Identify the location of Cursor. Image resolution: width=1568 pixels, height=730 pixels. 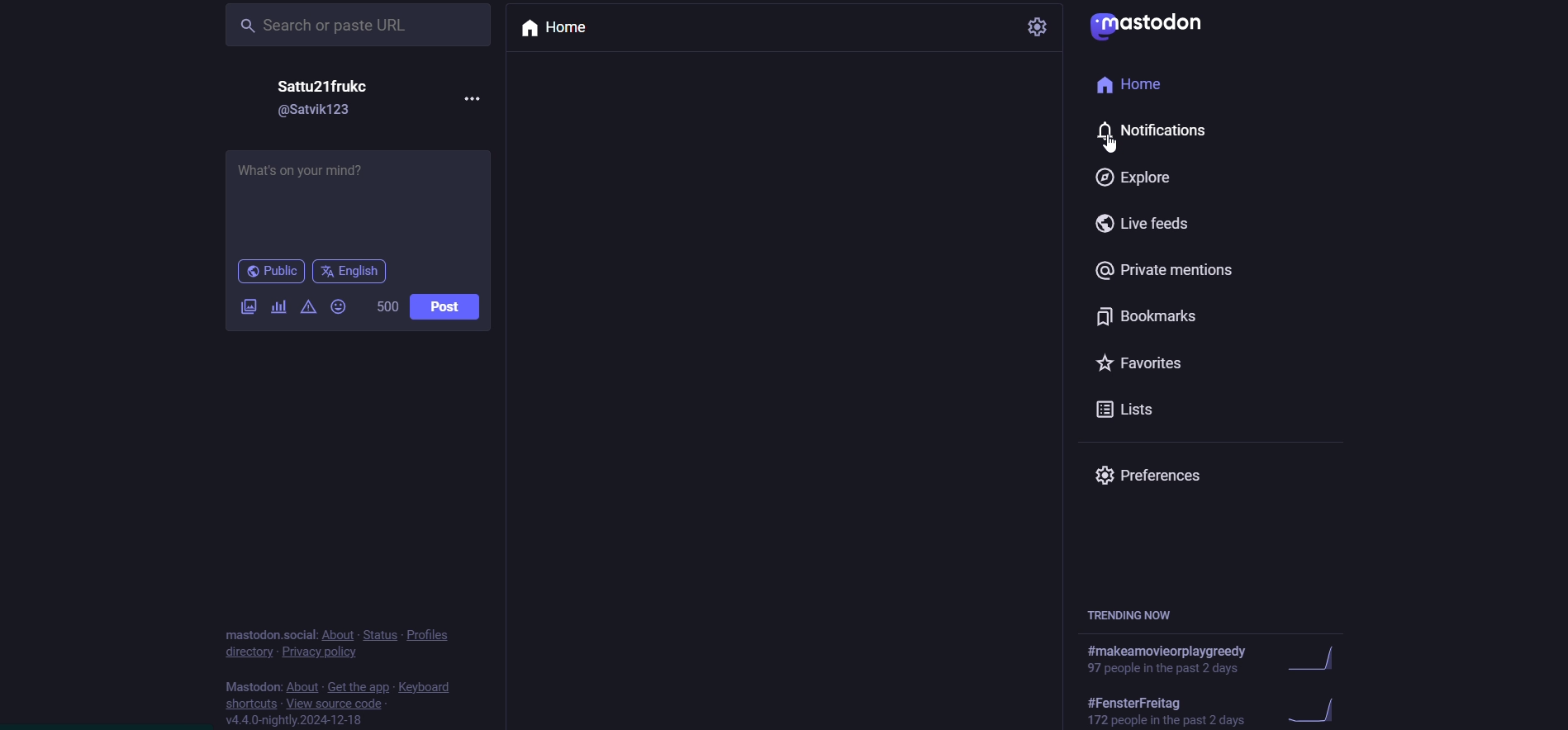
(1117, 148).